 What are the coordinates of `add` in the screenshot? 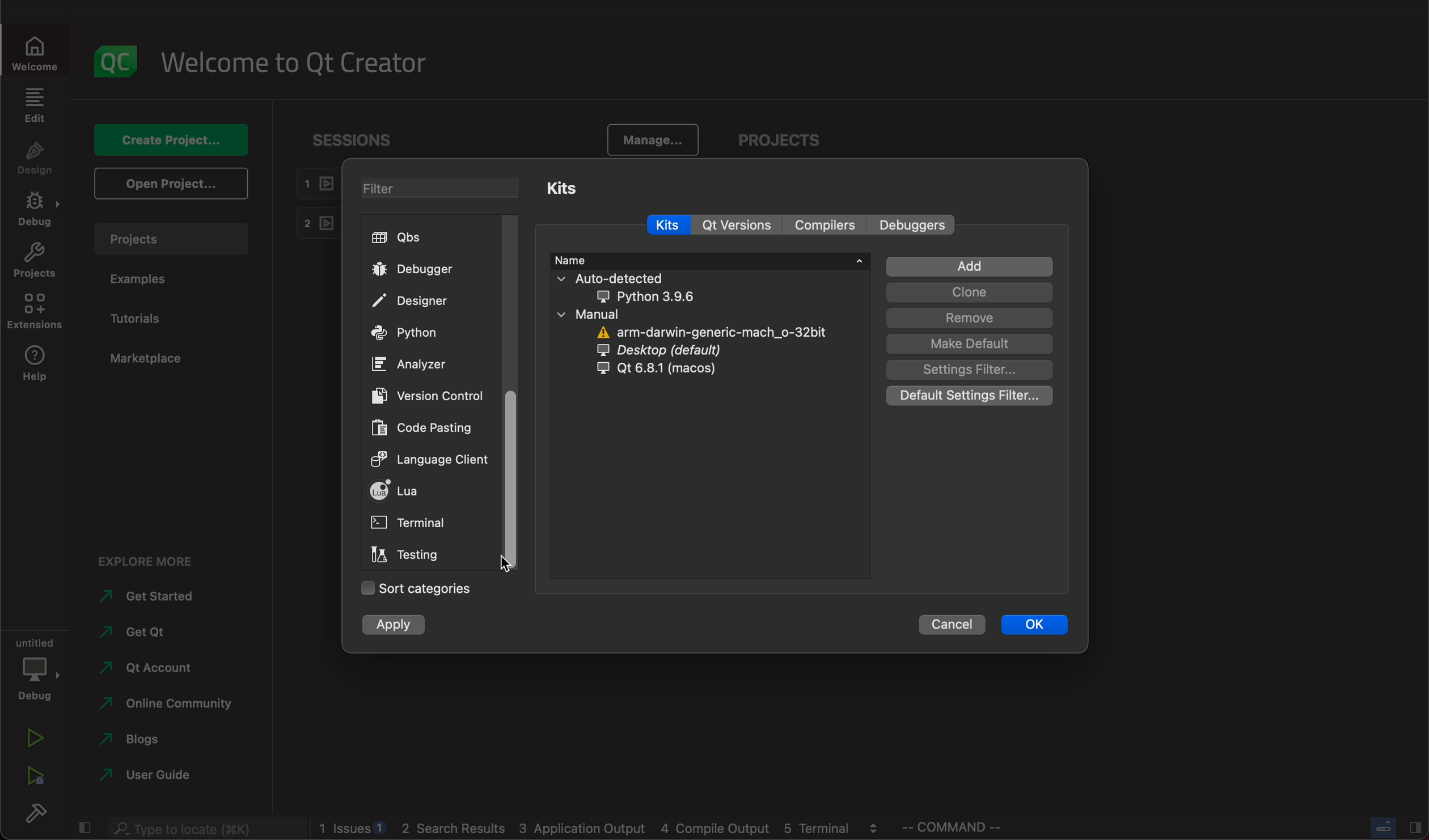 It's located at (962, 266).